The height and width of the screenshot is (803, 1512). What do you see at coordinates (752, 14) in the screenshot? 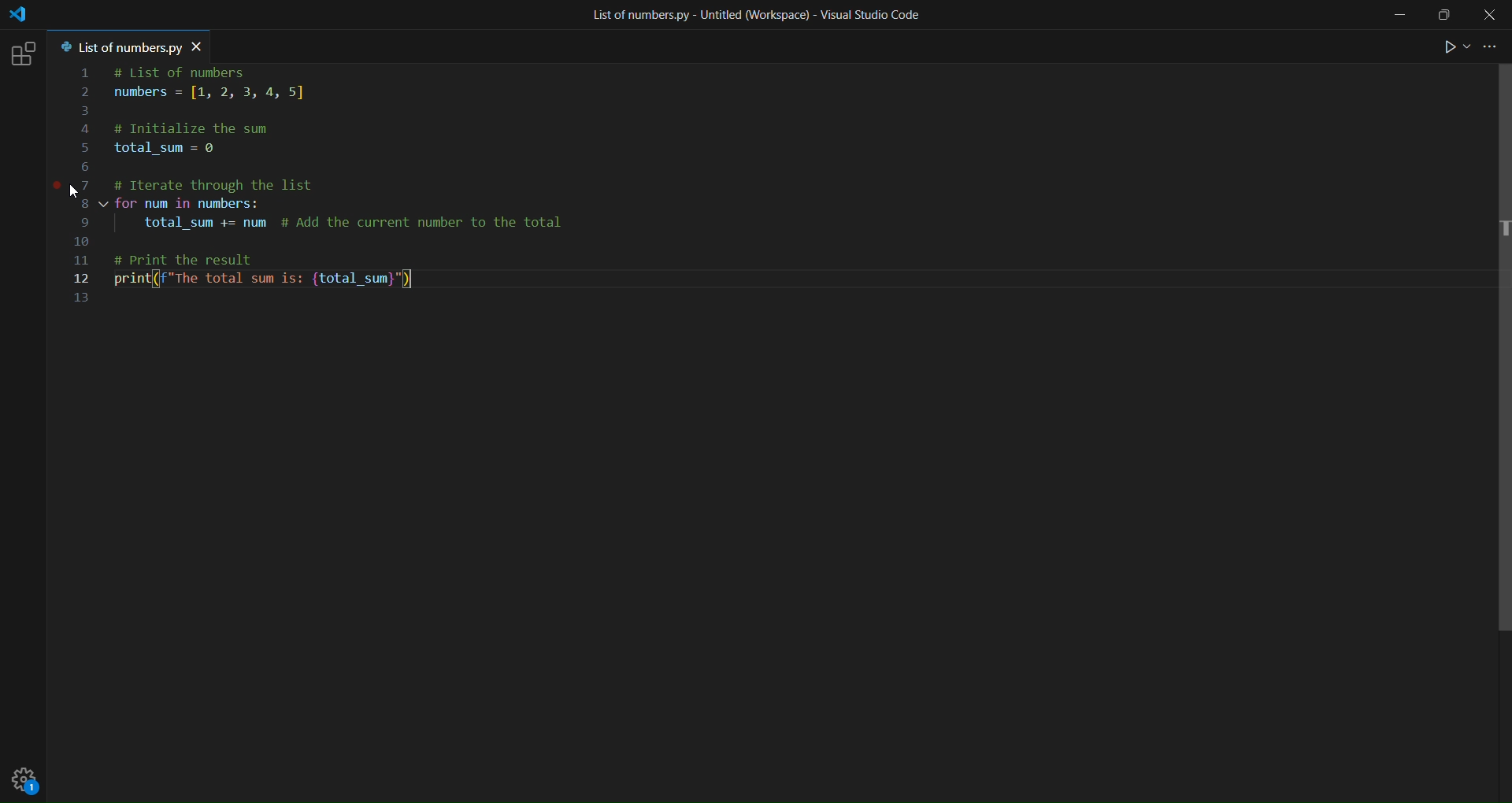
I see `title` at bounding box center [752, 14].